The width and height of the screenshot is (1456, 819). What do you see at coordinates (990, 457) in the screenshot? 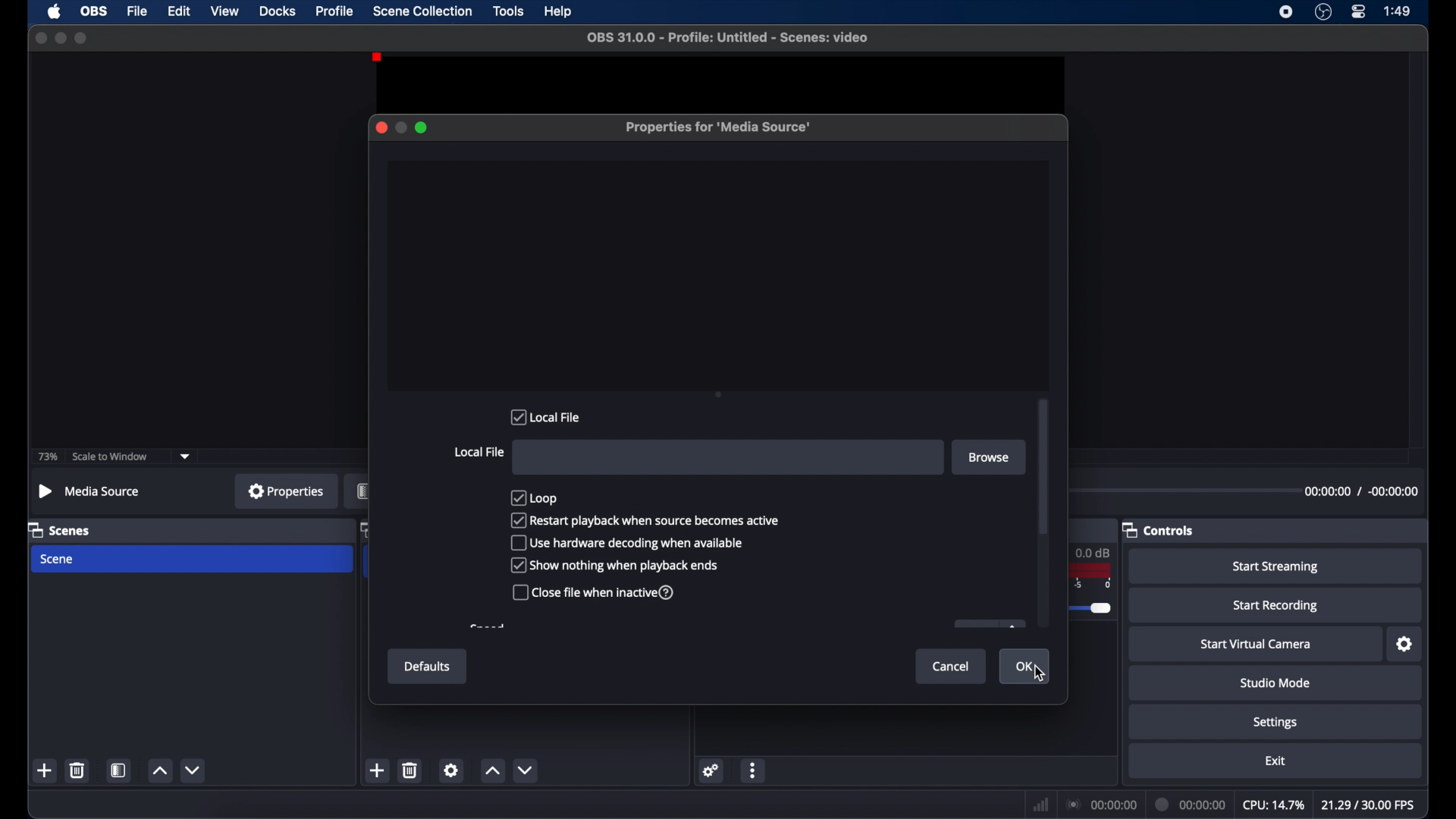
I see `browse` at bounding box center [990, 457].